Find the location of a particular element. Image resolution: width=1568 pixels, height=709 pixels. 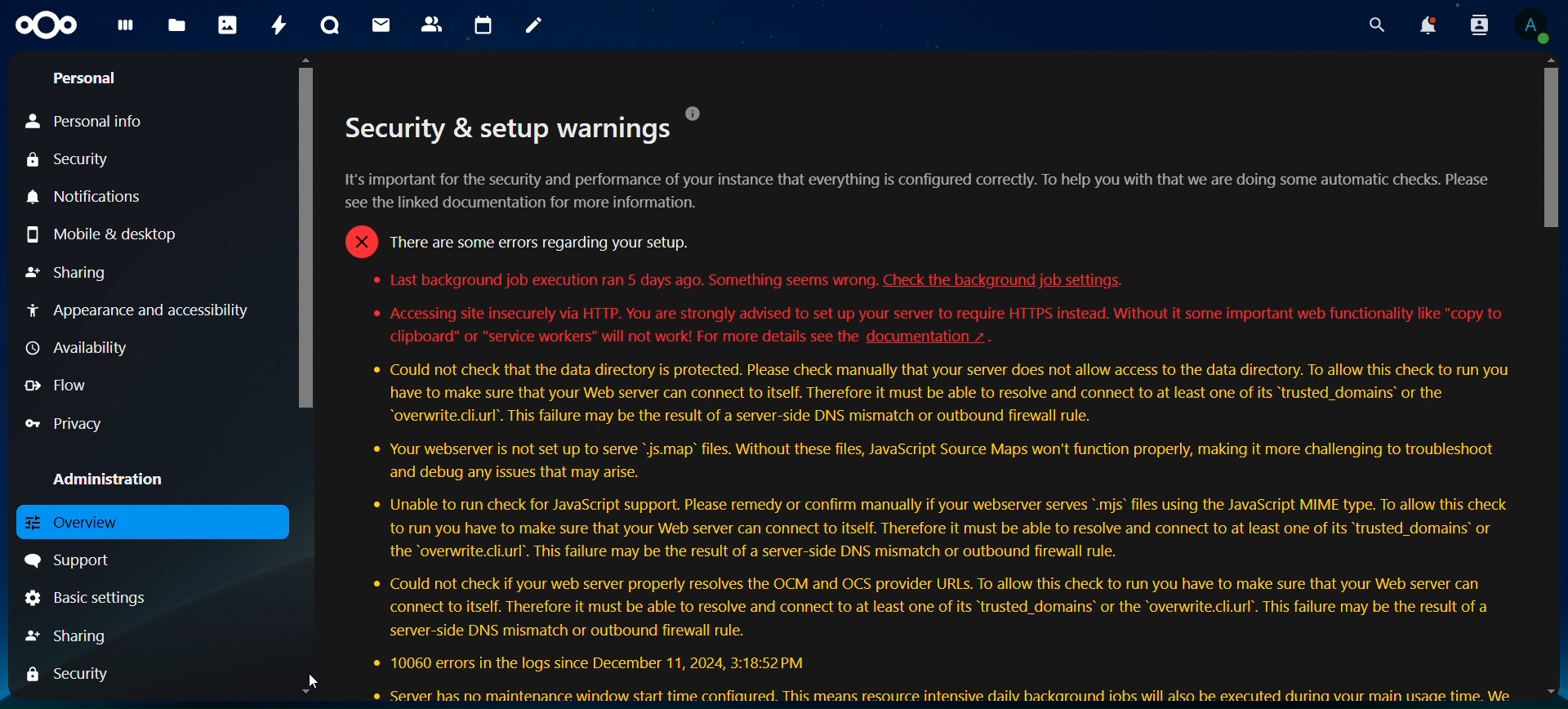

availability is located at coordinates (84, 347).